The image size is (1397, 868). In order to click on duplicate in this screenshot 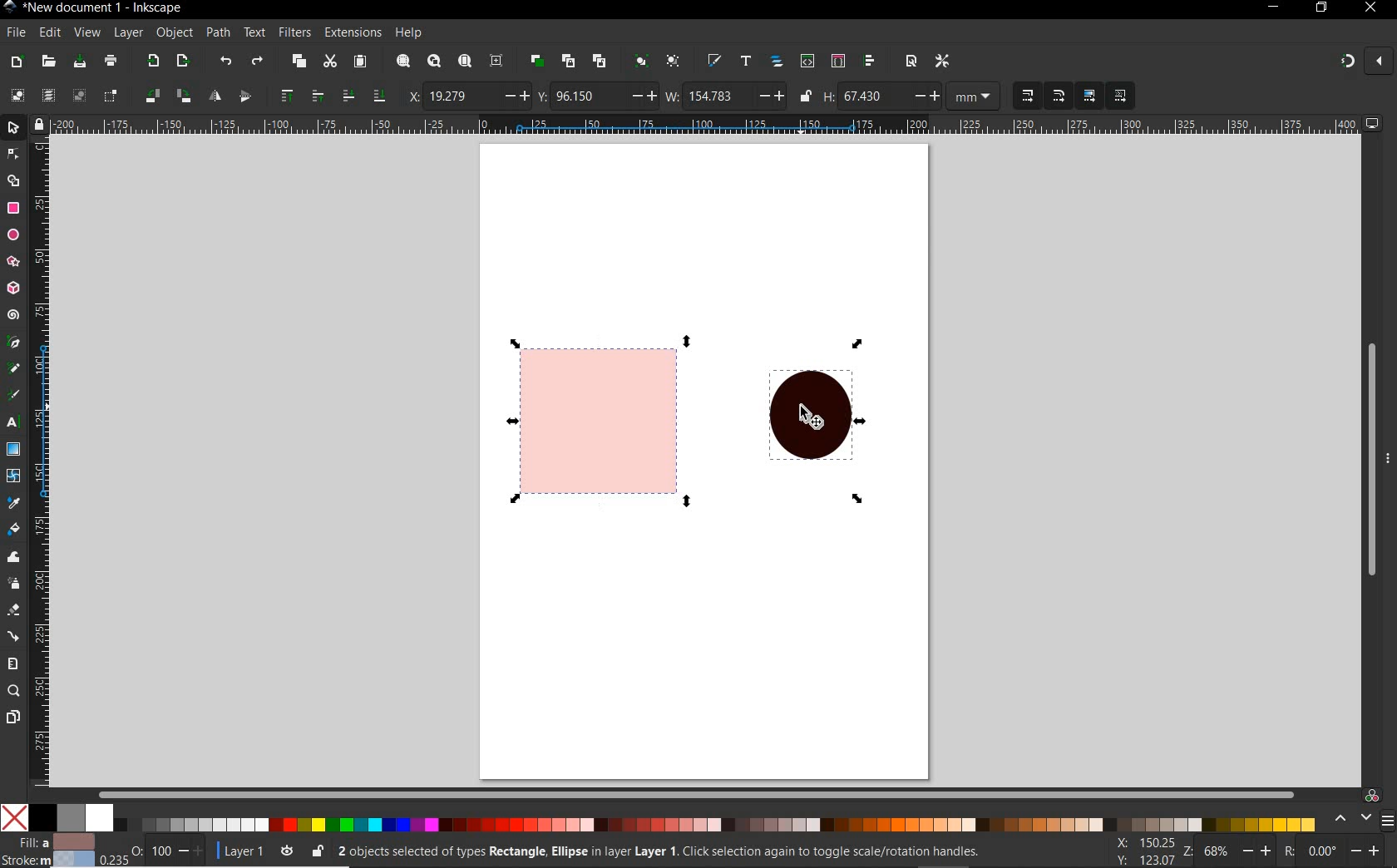, I will do `click(538, 62)`.